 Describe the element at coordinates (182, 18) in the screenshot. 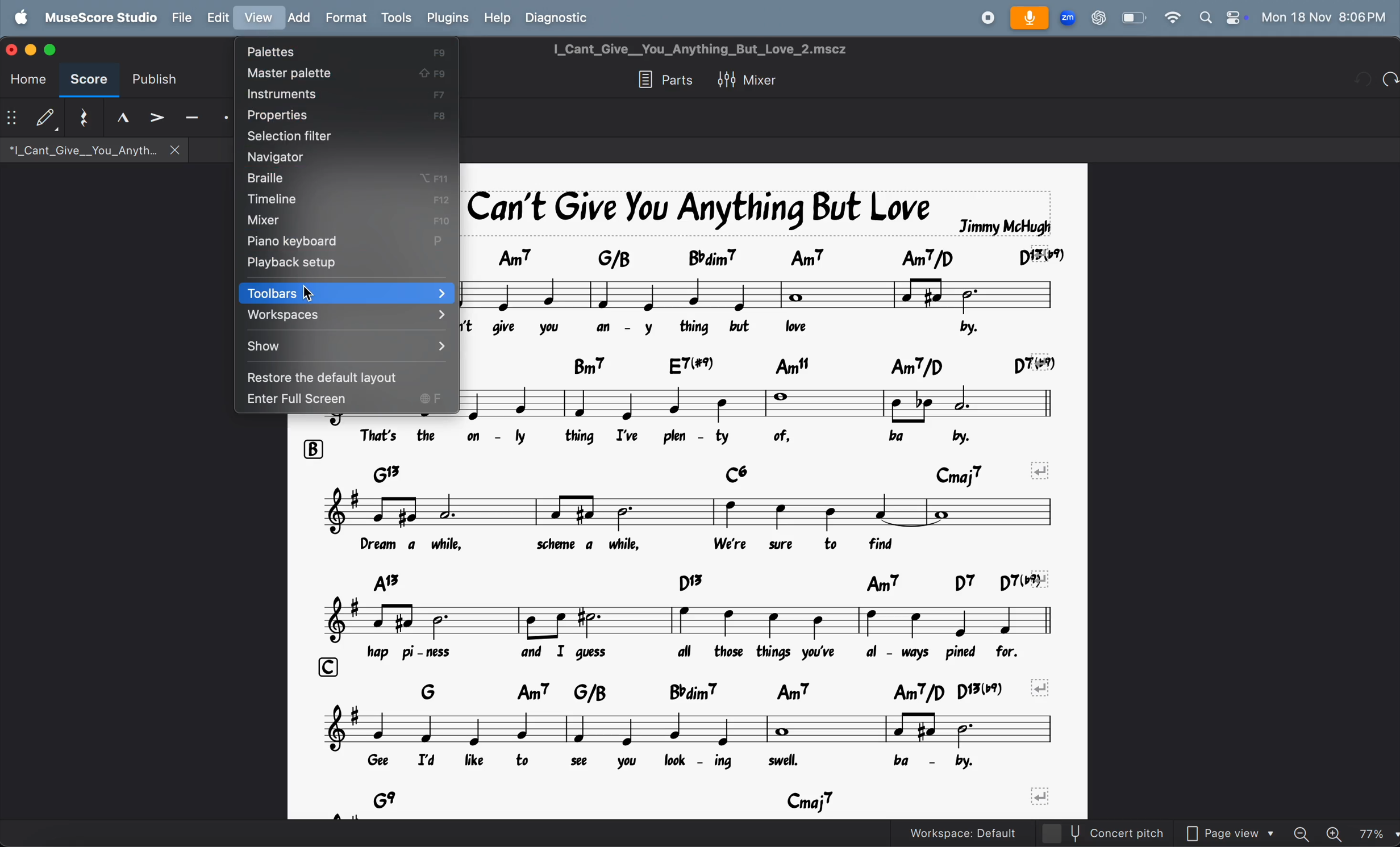

I see `file` at that location.